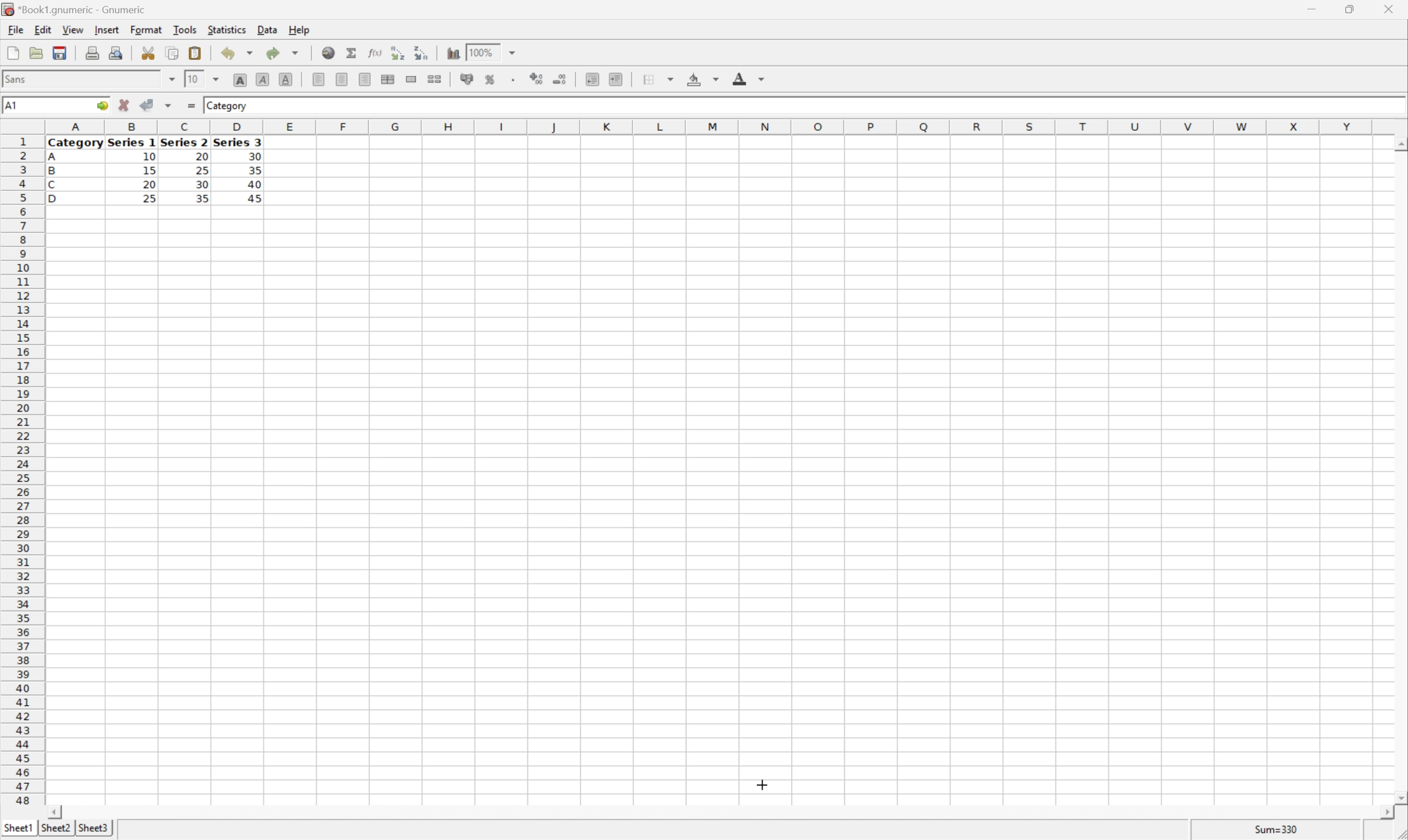 This screenshot has width=1408, height=840. What do you see at coordinates (228, 30) in the screenshot?
I see `Statistics` at bounding box center [228, 30].